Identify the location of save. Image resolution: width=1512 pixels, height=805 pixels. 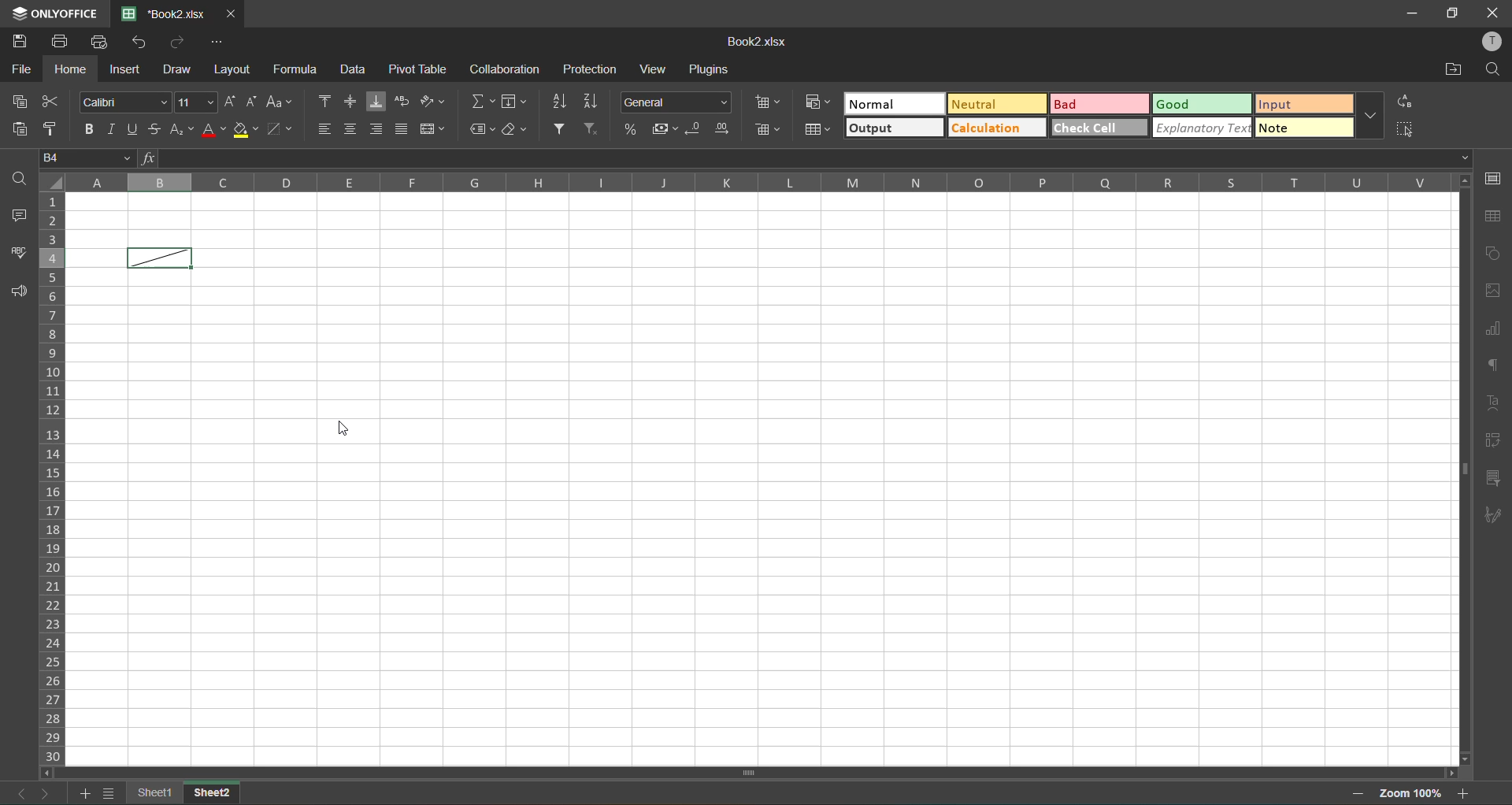
(18, 43).